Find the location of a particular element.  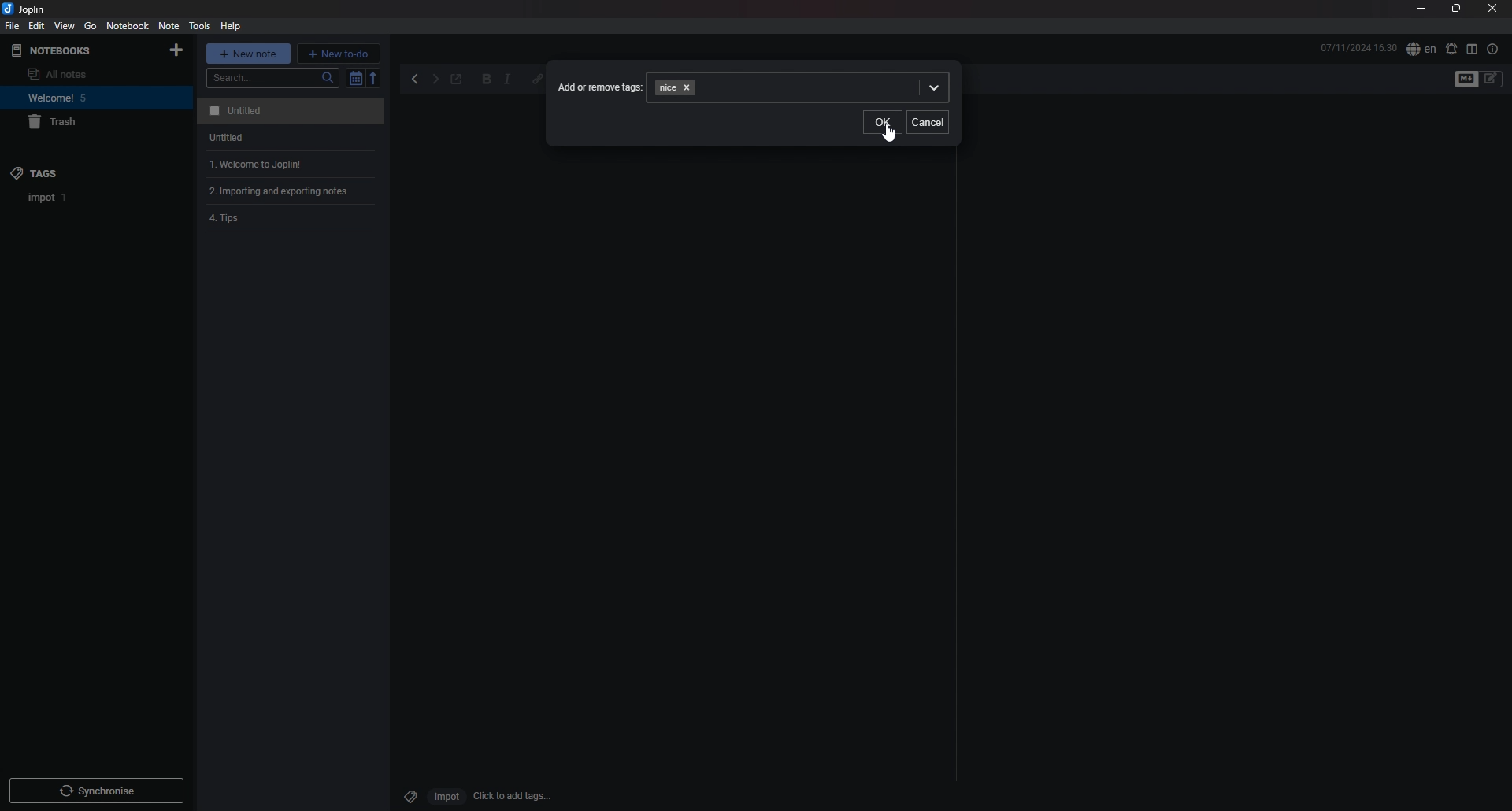

Ok is located at coordinates (881, 122).